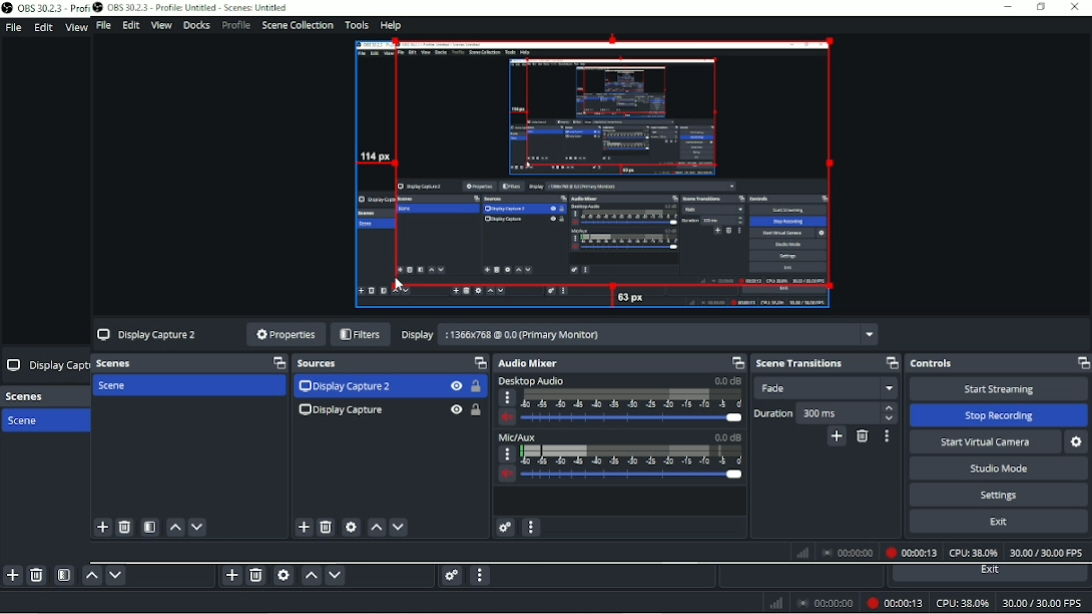 The height and width of the screenshot is (614, 1092). I want to click on Help, so click(396, 24).